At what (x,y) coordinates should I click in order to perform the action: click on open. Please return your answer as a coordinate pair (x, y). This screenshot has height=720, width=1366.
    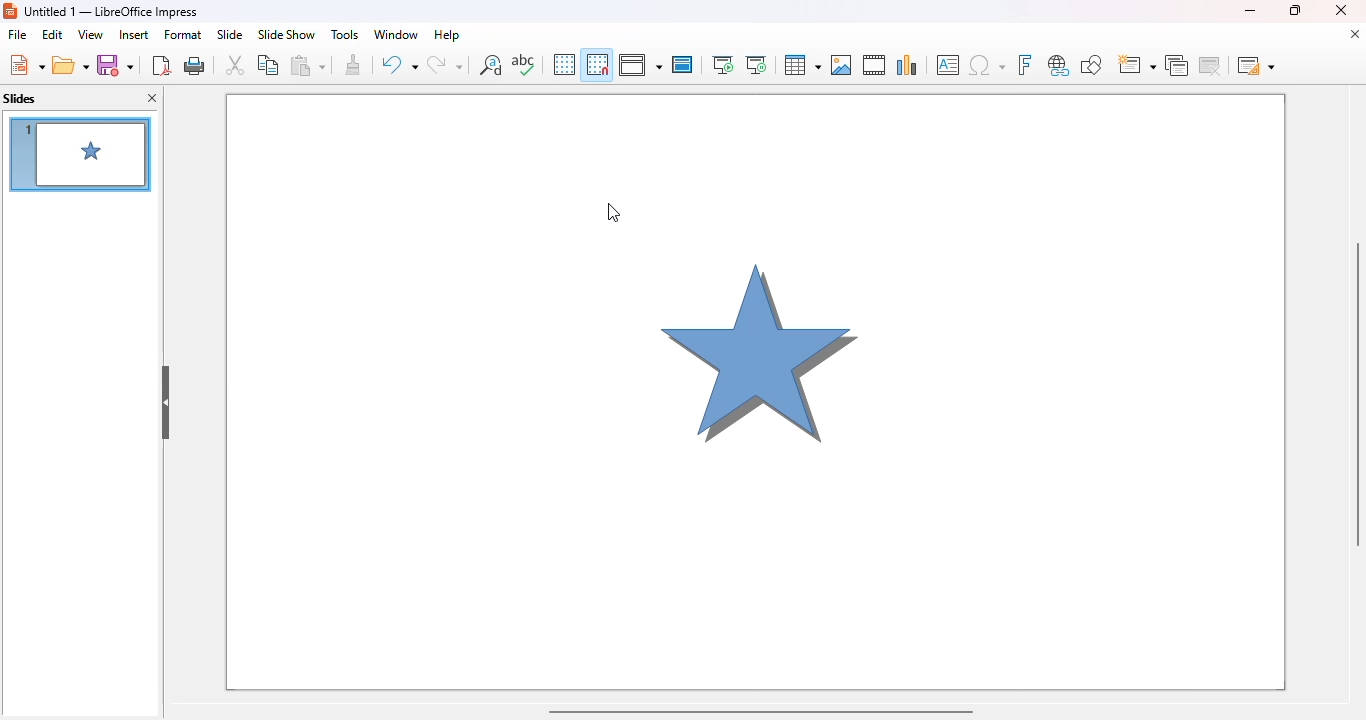
    Looking at the image, I should click on (70, 65).